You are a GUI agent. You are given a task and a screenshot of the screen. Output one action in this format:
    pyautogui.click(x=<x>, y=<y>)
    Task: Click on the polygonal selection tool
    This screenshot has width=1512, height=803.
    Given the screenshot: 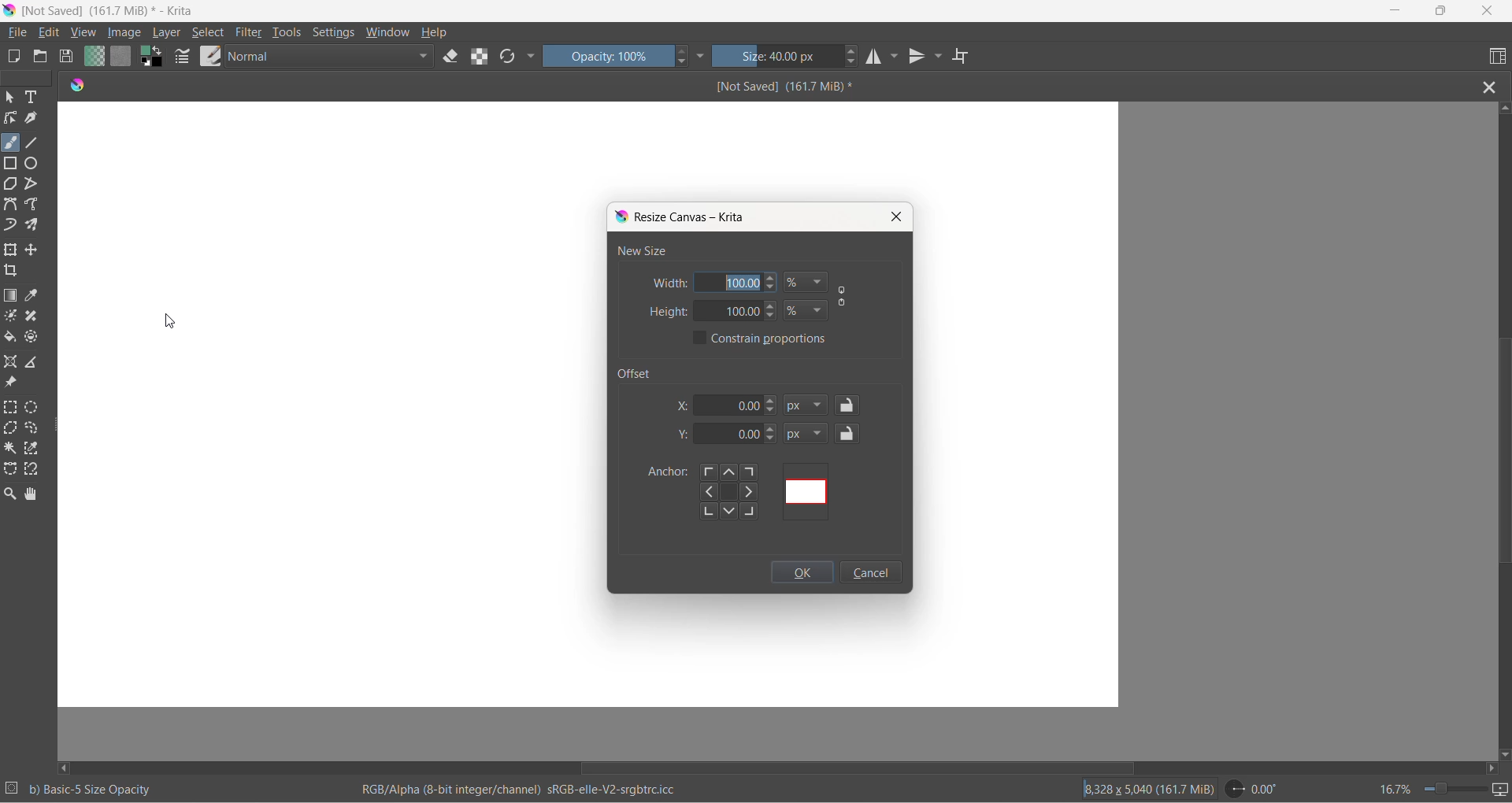 What is the action you would take?
    pyautogui.click(x=12, y=430)
    